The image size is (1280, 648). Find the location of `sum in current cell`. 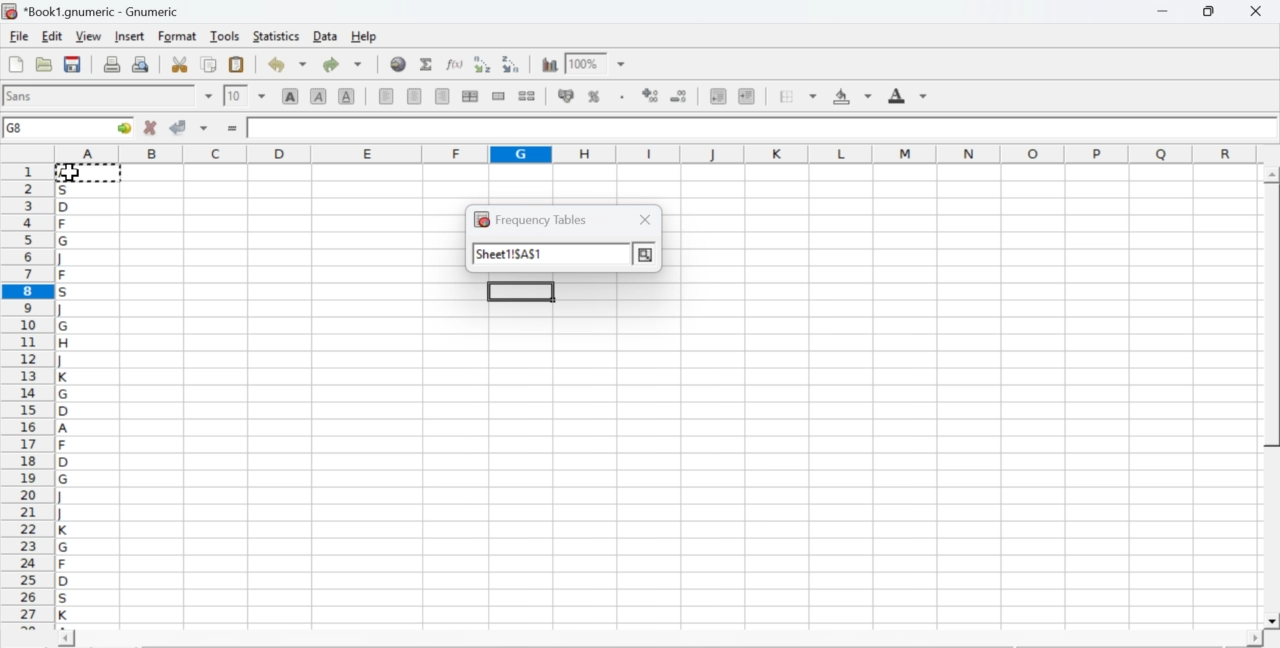

sum in current cell is located at coordinates (427, 63).